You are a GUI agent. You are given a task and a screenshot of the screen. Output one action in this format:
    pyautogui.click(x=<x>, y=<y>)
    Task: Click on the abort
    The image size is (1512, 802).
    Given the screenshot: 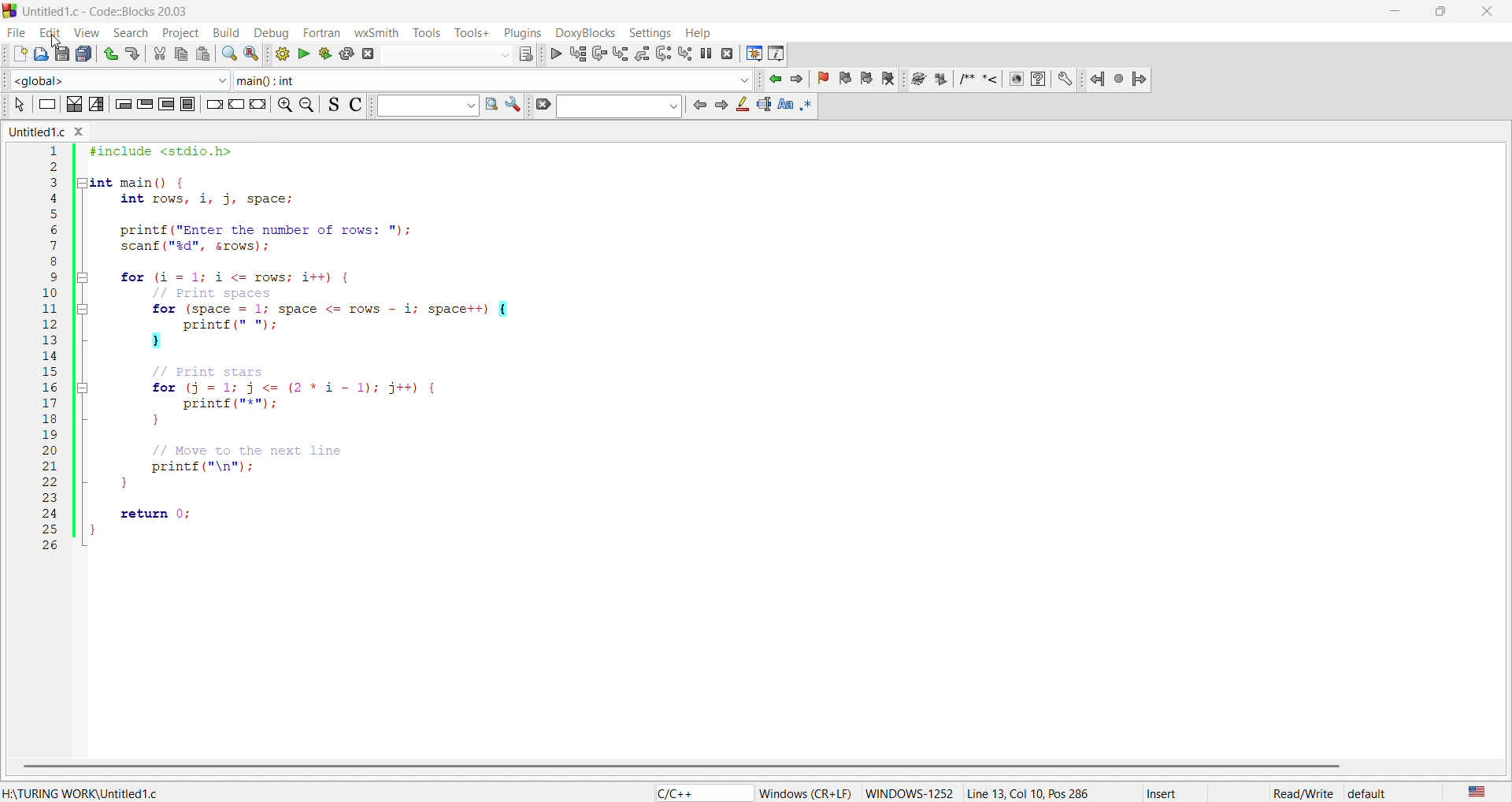 What is the action you would take?
    pyautogui.click(x=371, y=54)
    